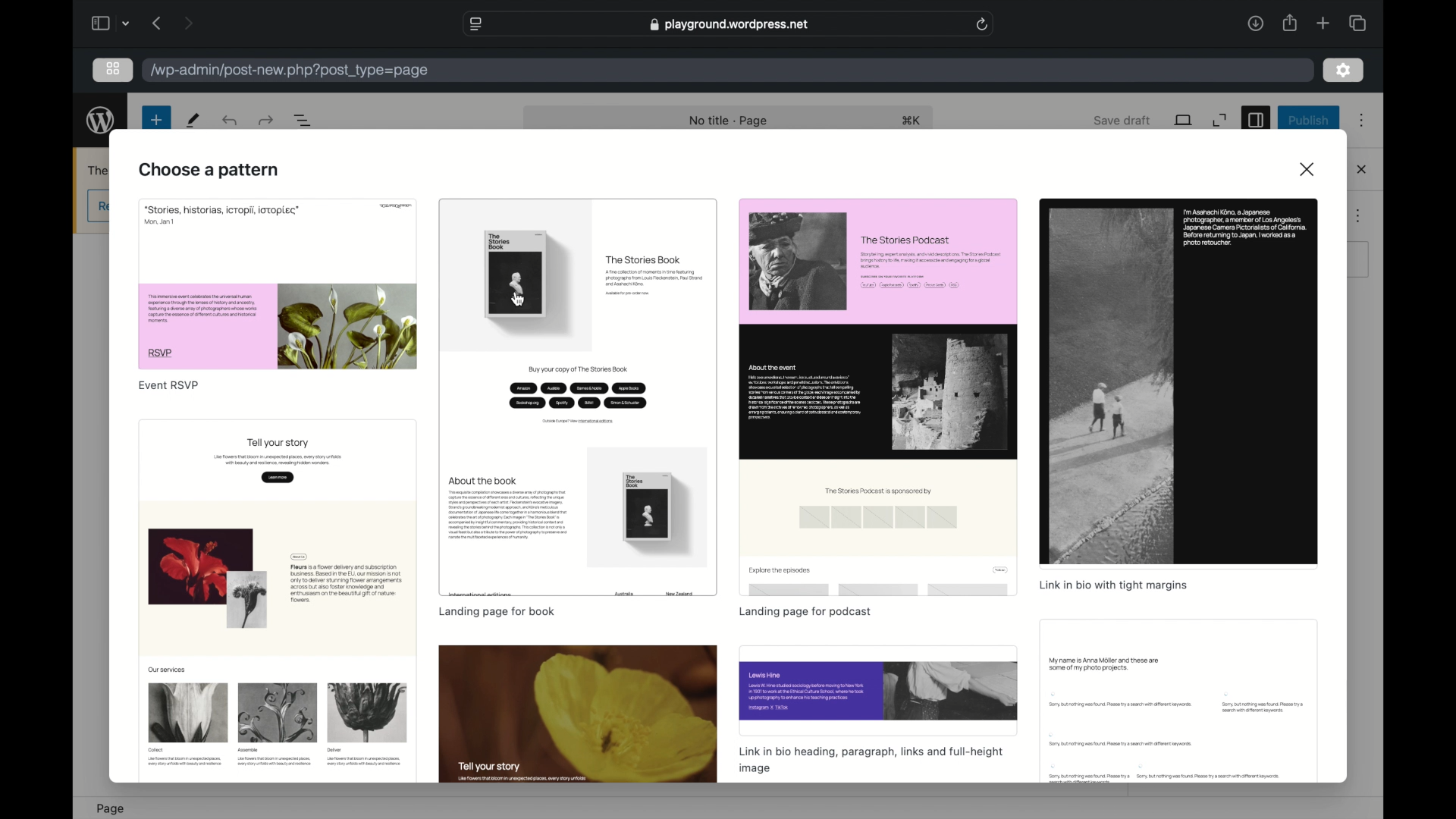 This screenshot has height=819, width=1456. Describe the element at coordinates (295, 71) in the screenshot. I see `/wp-admin/post-new.php?post_type=page` at that location.